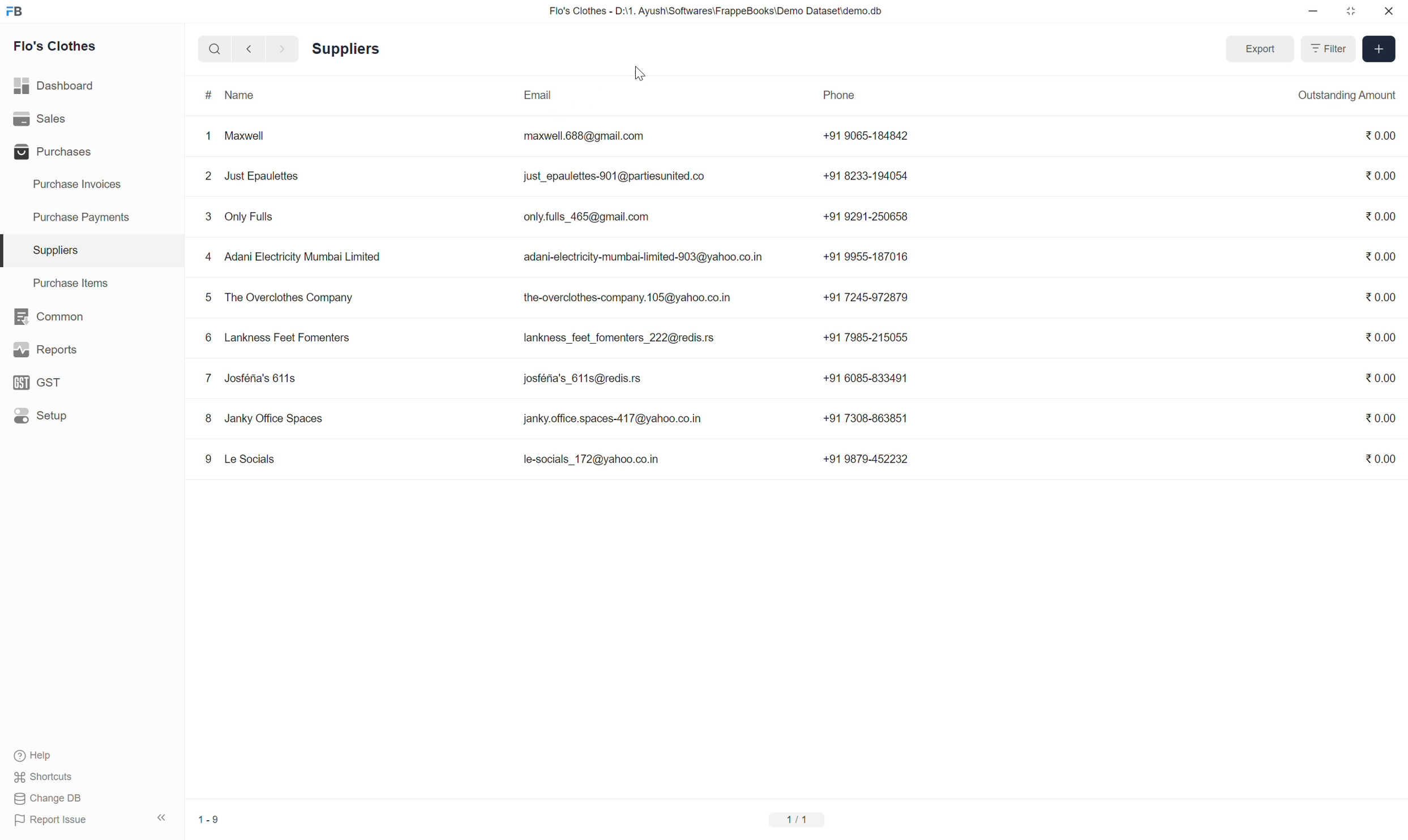 Image resolution: width=1408 pixels, height=840 pixels. What do you see at coordinates (209, 177) in the screenshot?
I see `2` at bounding box center [209, 177].